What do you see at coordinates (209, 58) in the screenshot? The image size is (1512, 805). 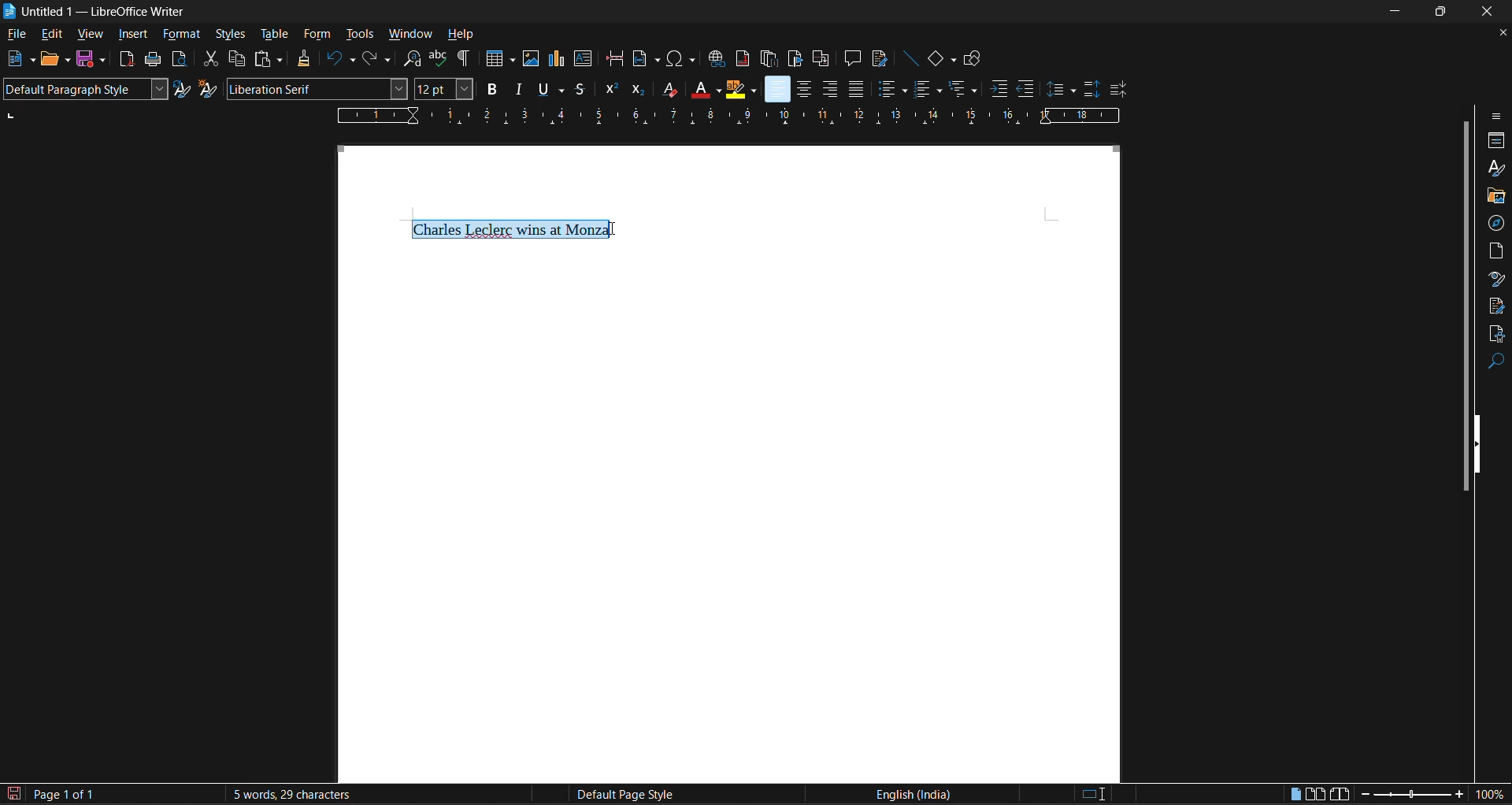 I see `cut` at bounding box center [209, 58].